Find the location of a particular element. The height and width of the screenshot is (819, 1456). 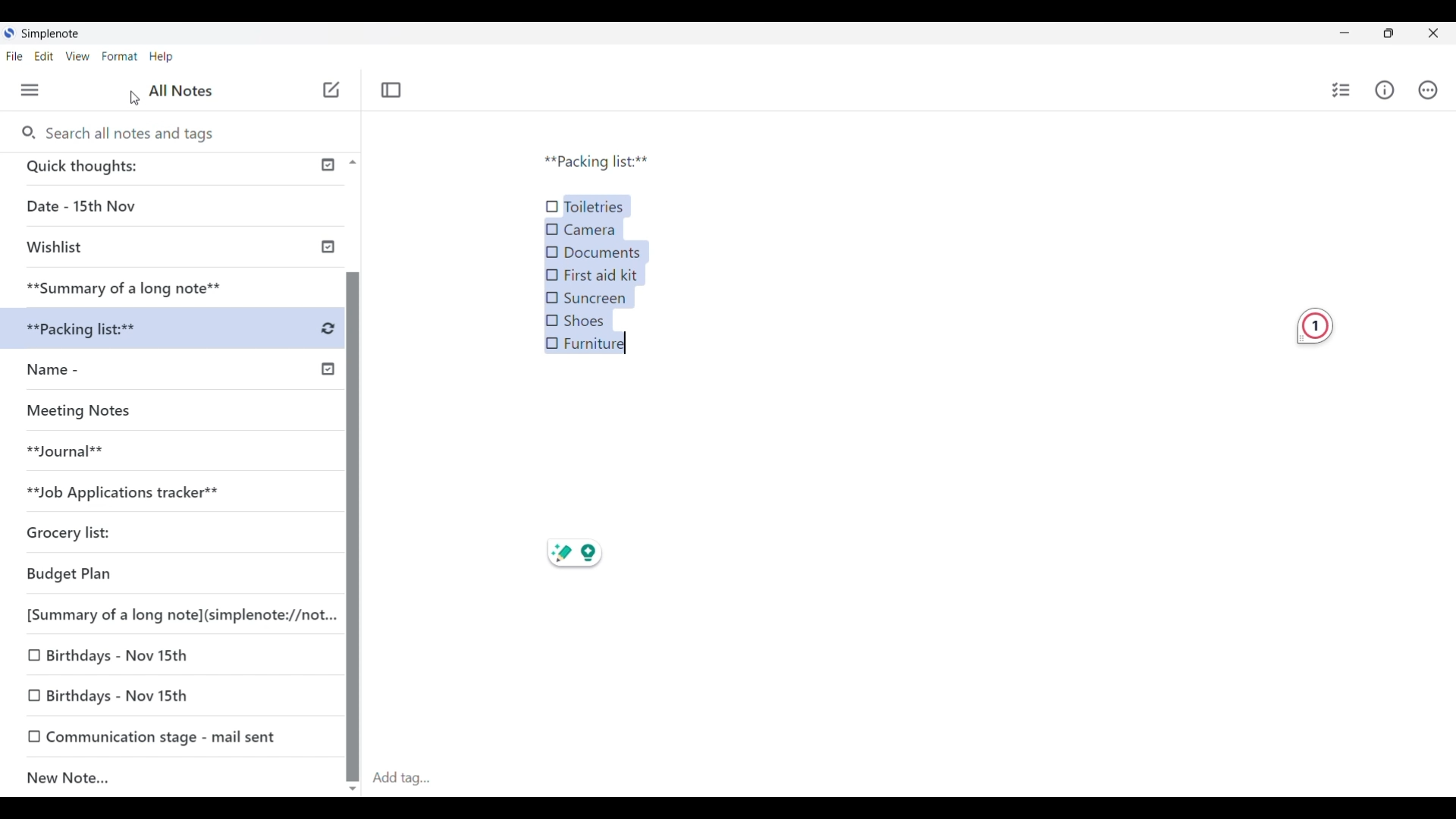

View menu is located at coordinates (78, 56).